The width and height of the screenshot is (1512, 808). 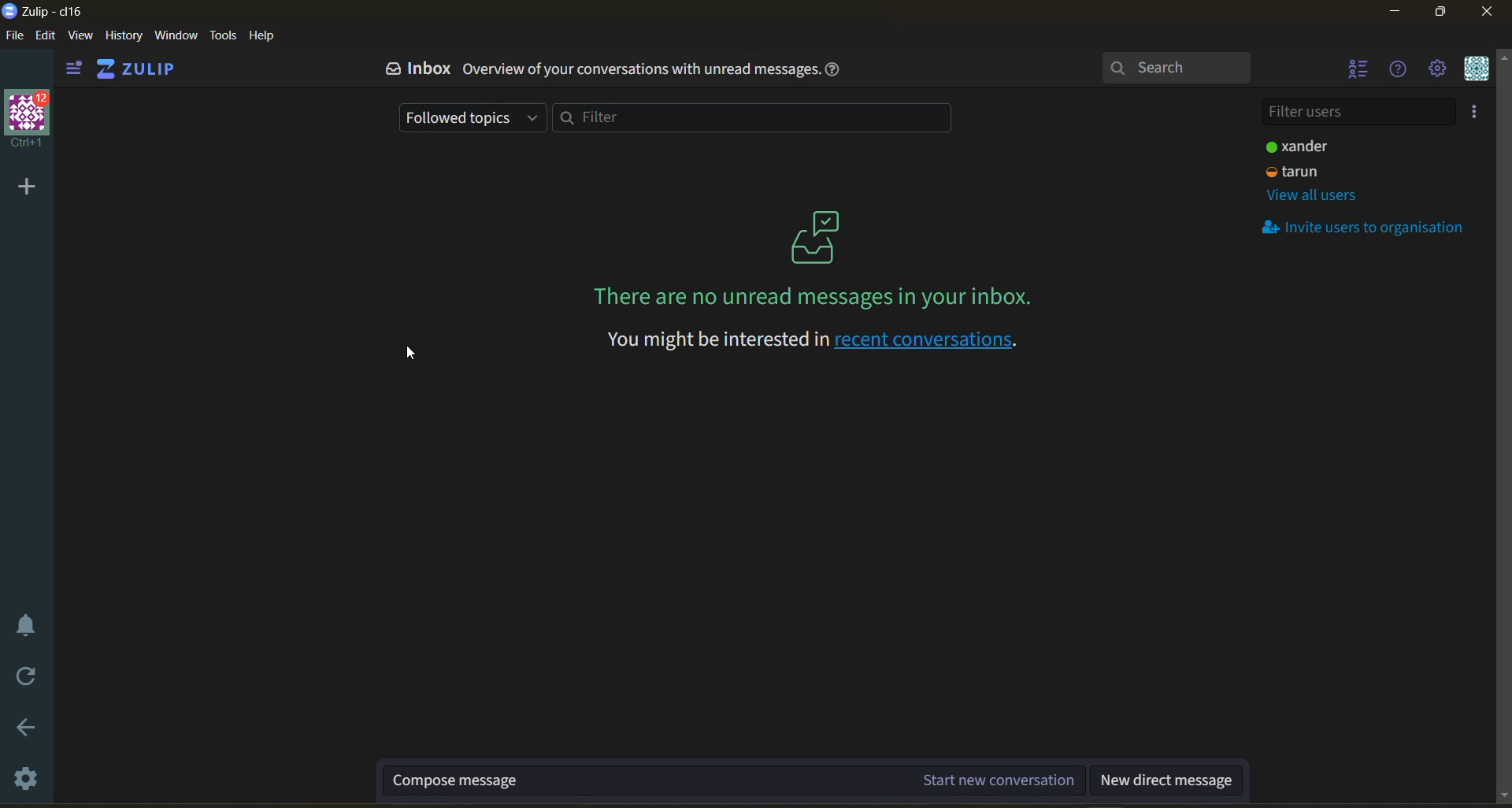 What do you see at coordinates (1398, 70) in the screenshot?
I see `help menu` at bounding box center [1398, 70].